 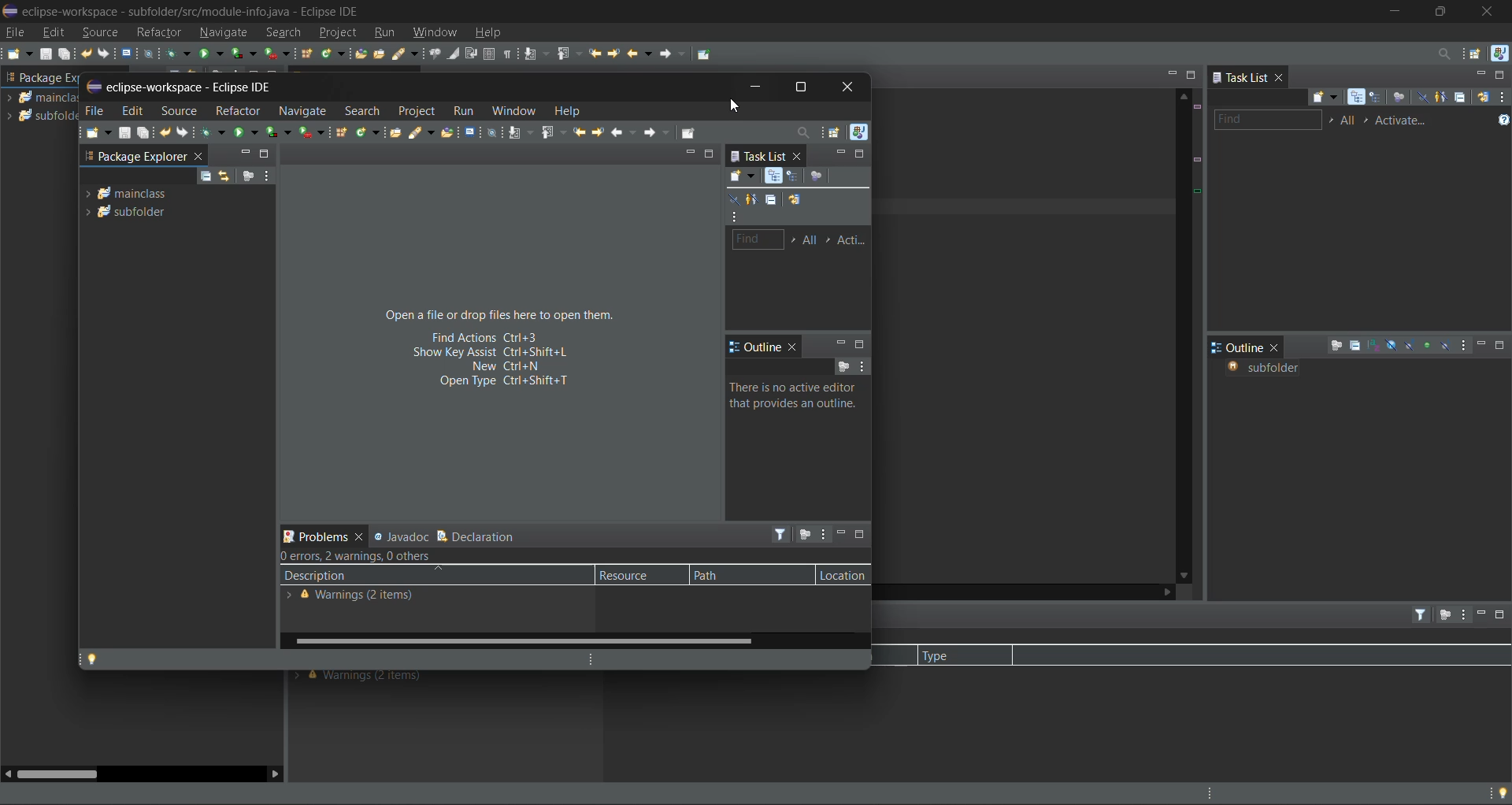 What do you see at coordinates (1334, 347) in the screenshot?
I see `focus on active task` at bounding box center [1334, 347].